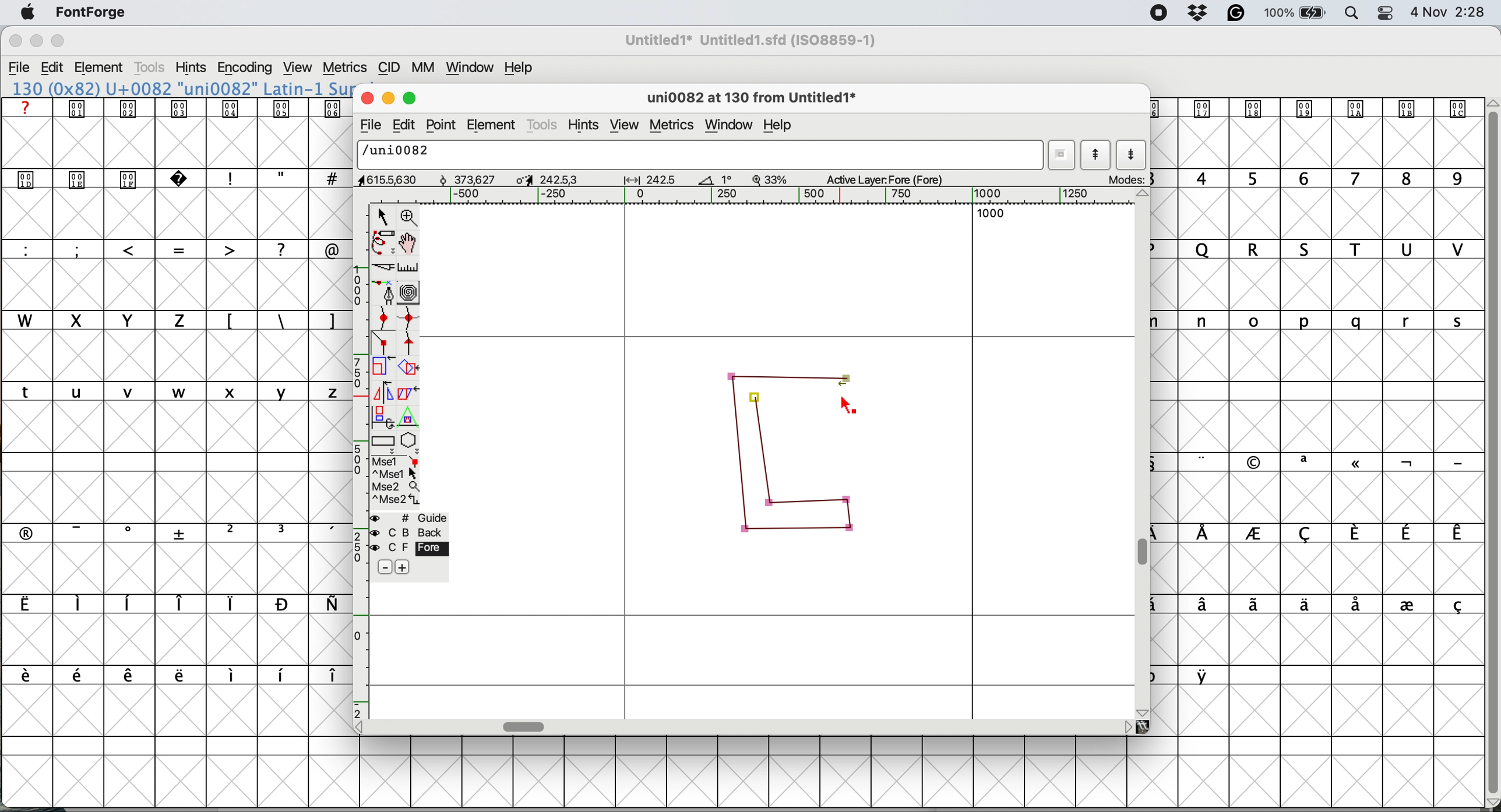  Describe the element at coordinates (1349, 15) in the screenshot. I see `spotlight search` at that location.